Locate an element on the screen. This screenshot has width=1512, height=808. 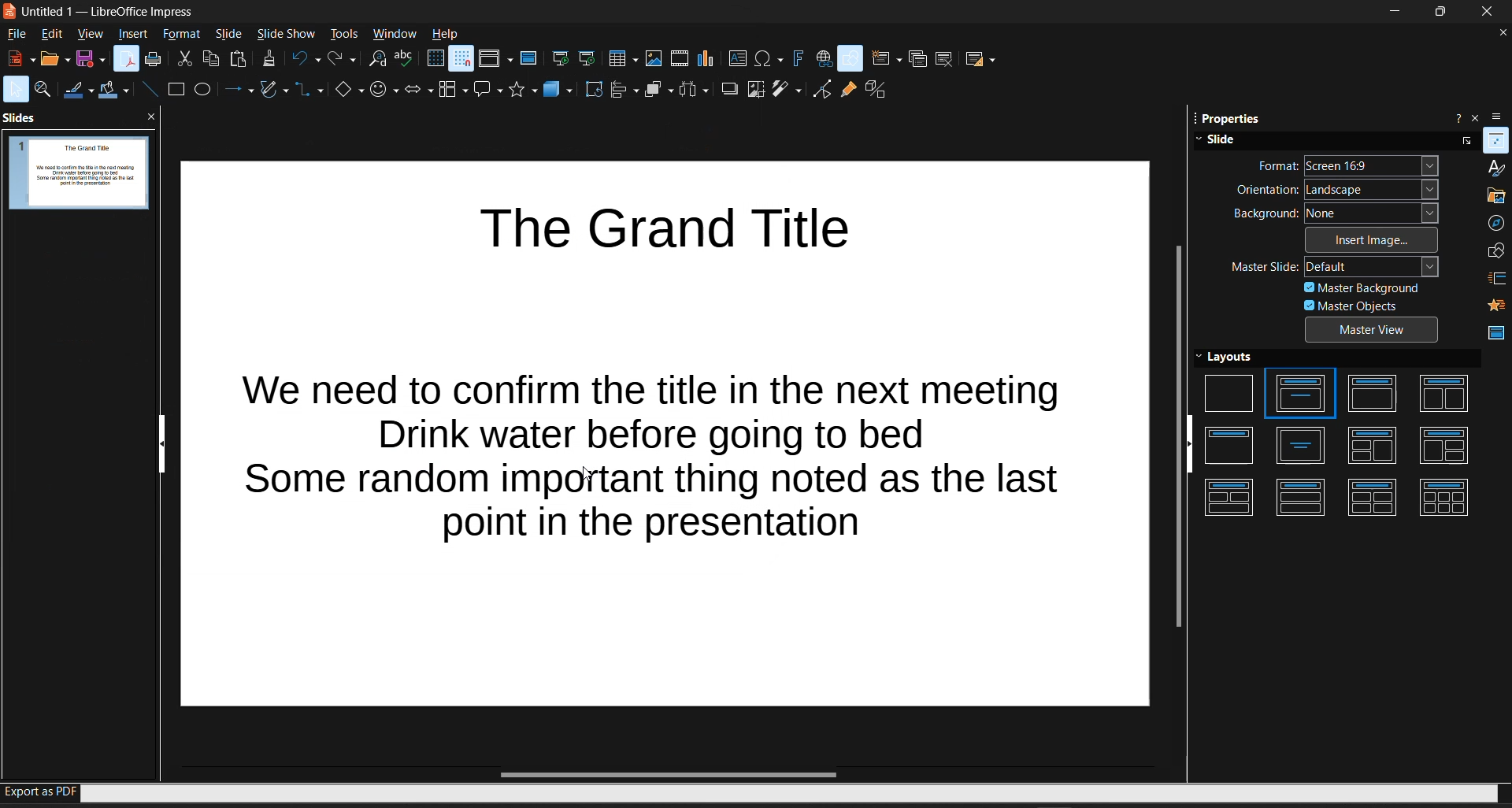
delete  slide is located at coordinates (945, 58).